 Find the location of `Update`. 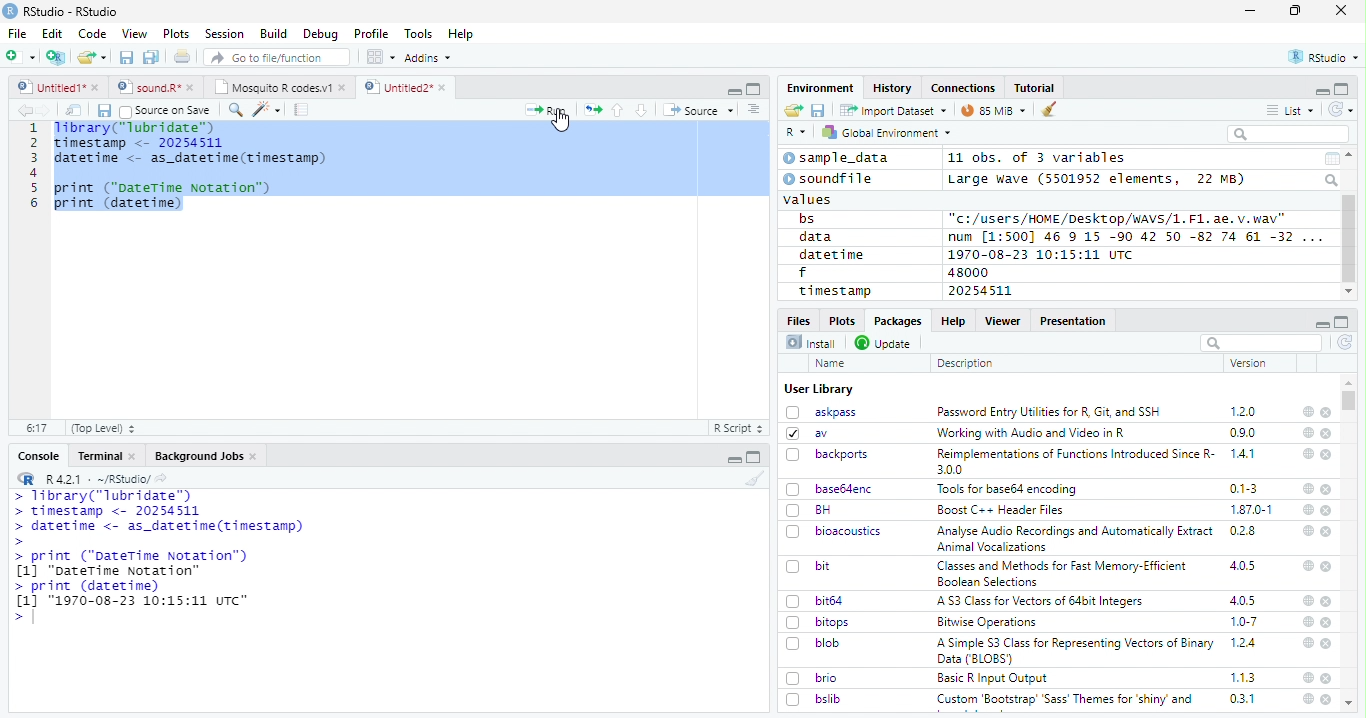

Update is located at coordinates (885, 343).